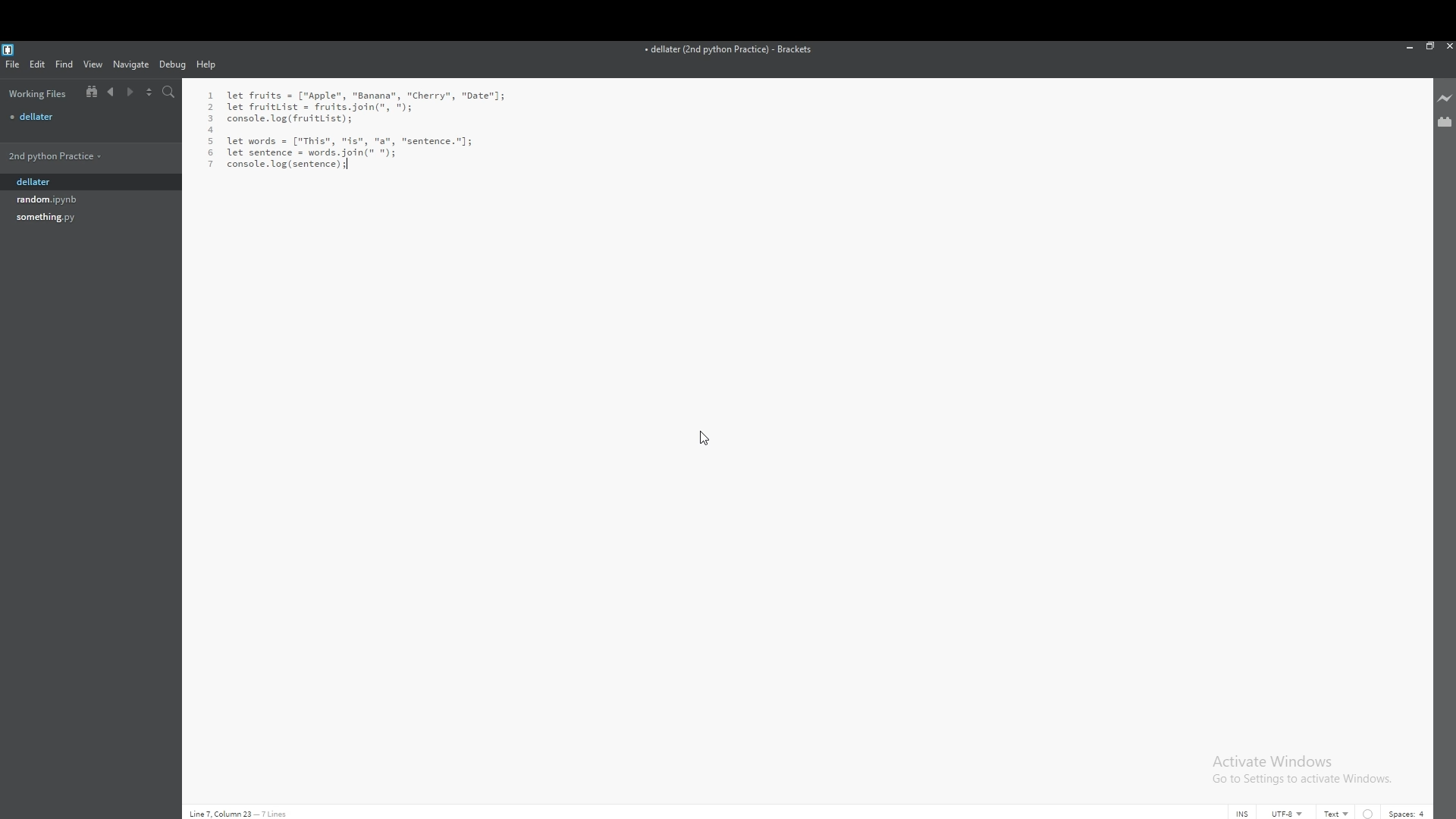 This screenshot has width=1456, height=819. What do you see at coordinates (132, 64) in the screenshot?
I see `navigate` at bounding box center [132, 64].